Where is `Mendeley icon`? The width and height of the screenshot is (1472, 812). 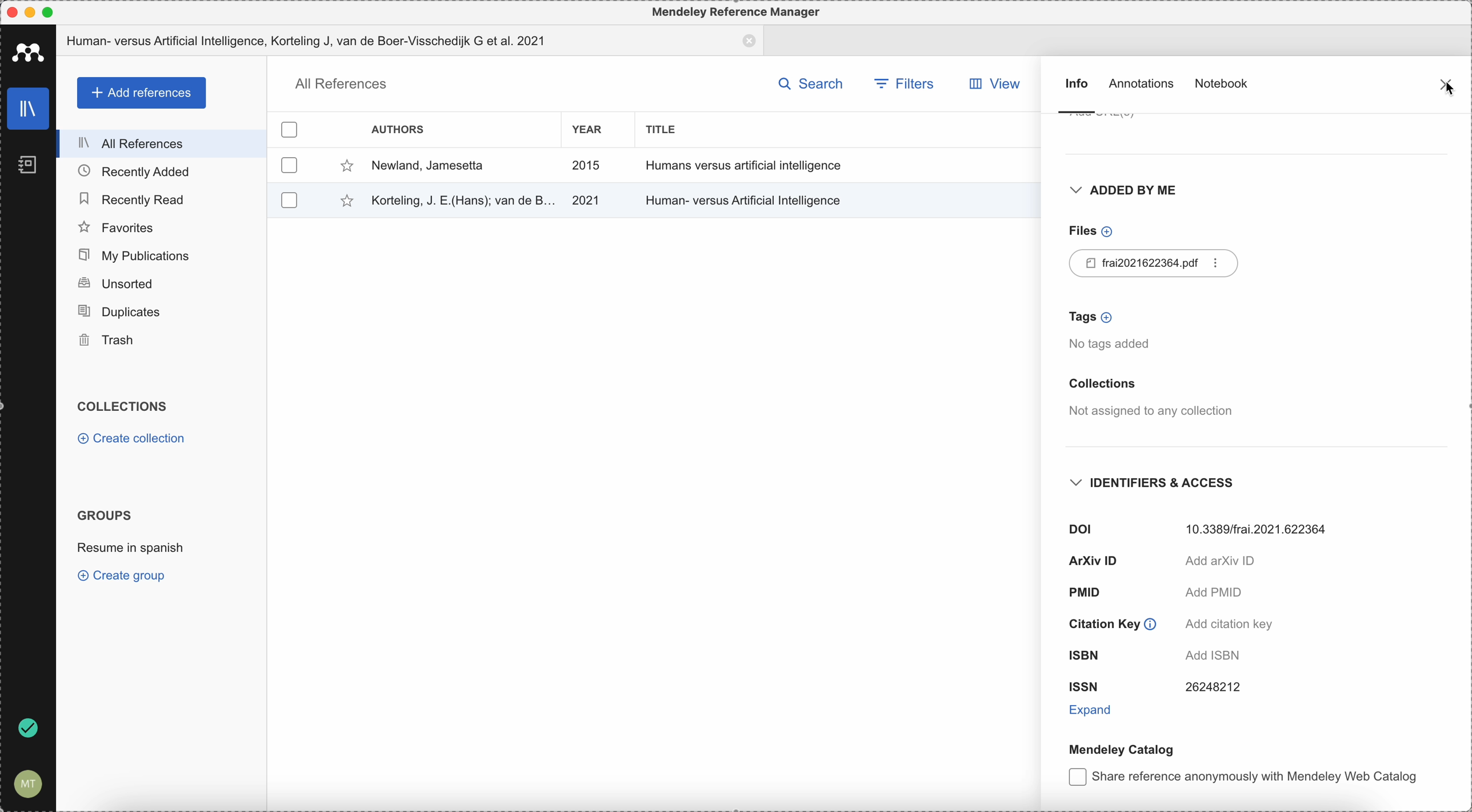
Mendeley icon is located at coordinates (27, 52).